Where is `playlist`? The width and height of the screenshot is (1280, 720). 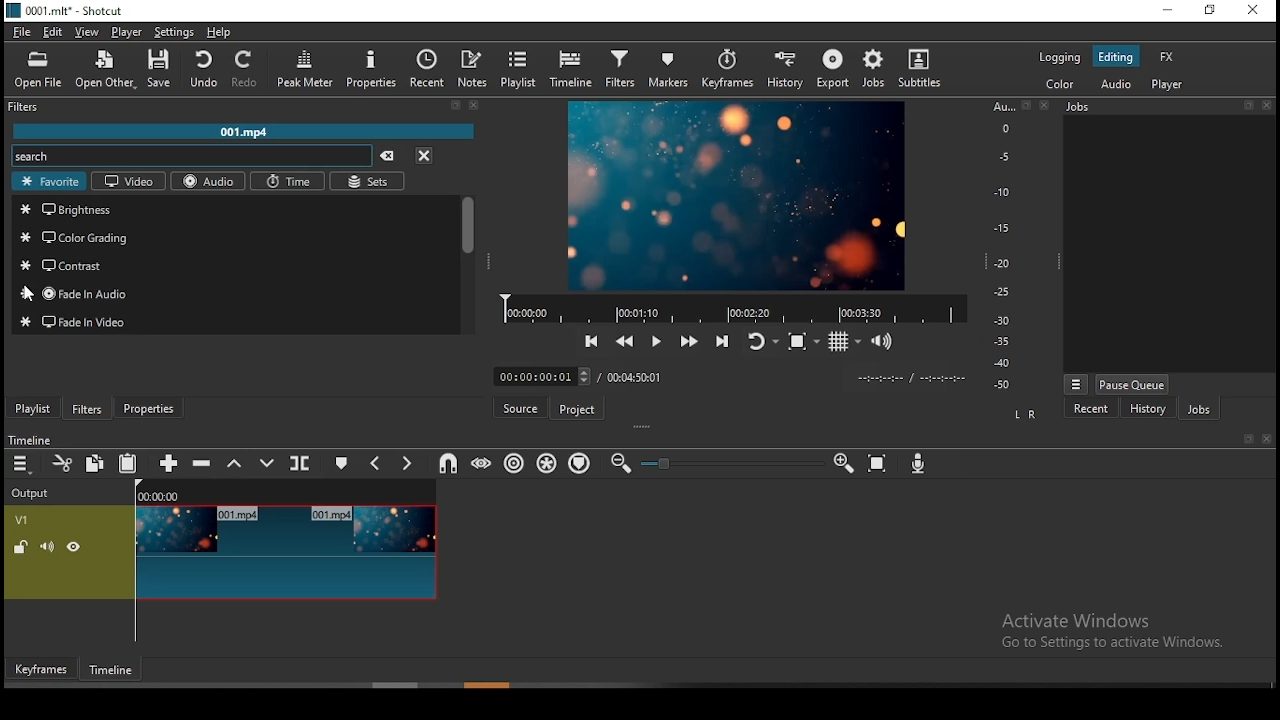
playlist is located at coordinates (36, 409).